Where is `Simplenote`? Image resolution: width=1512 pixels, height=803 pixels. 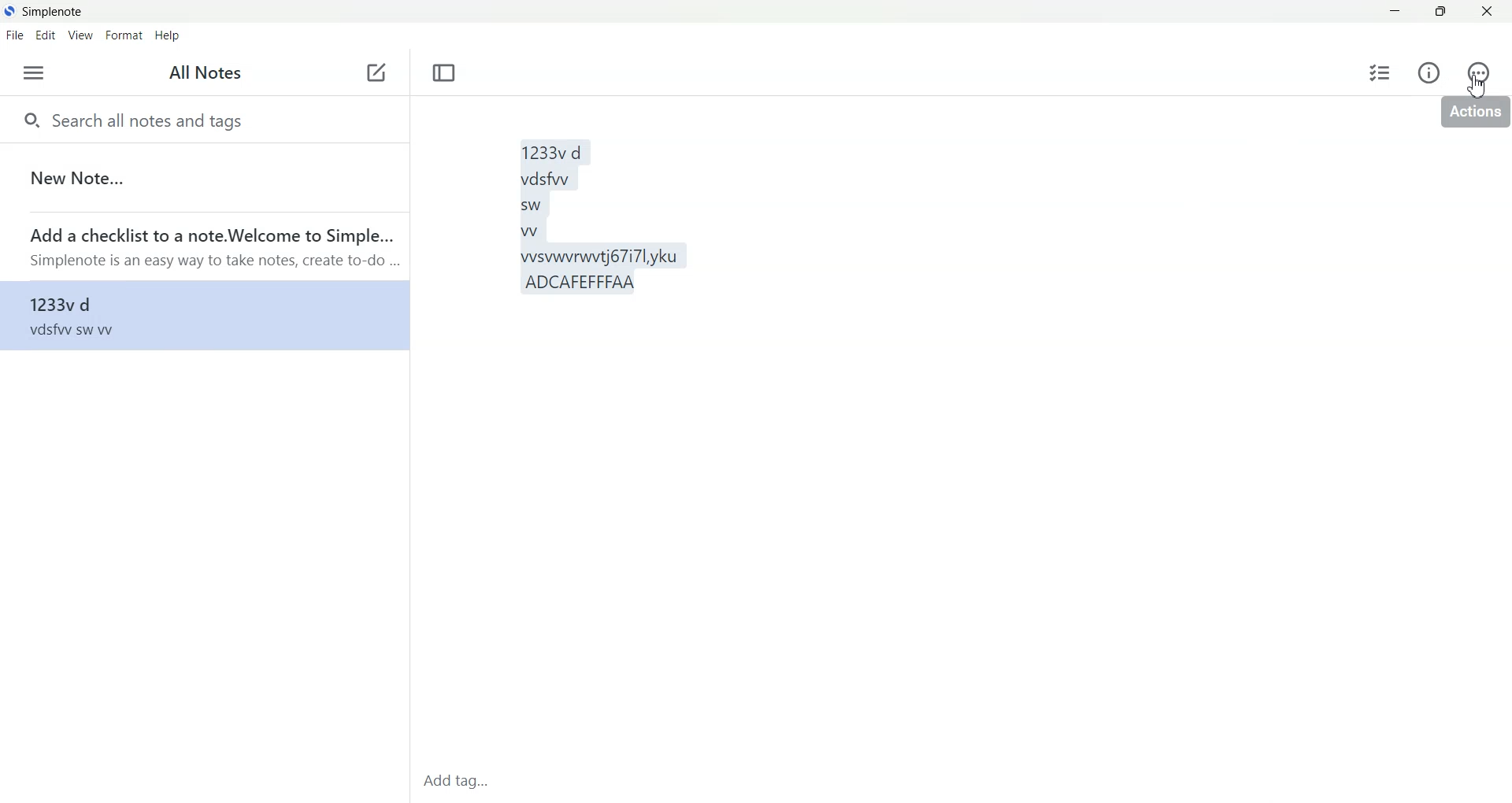
Simplenote is located at coordinates (44, 10).